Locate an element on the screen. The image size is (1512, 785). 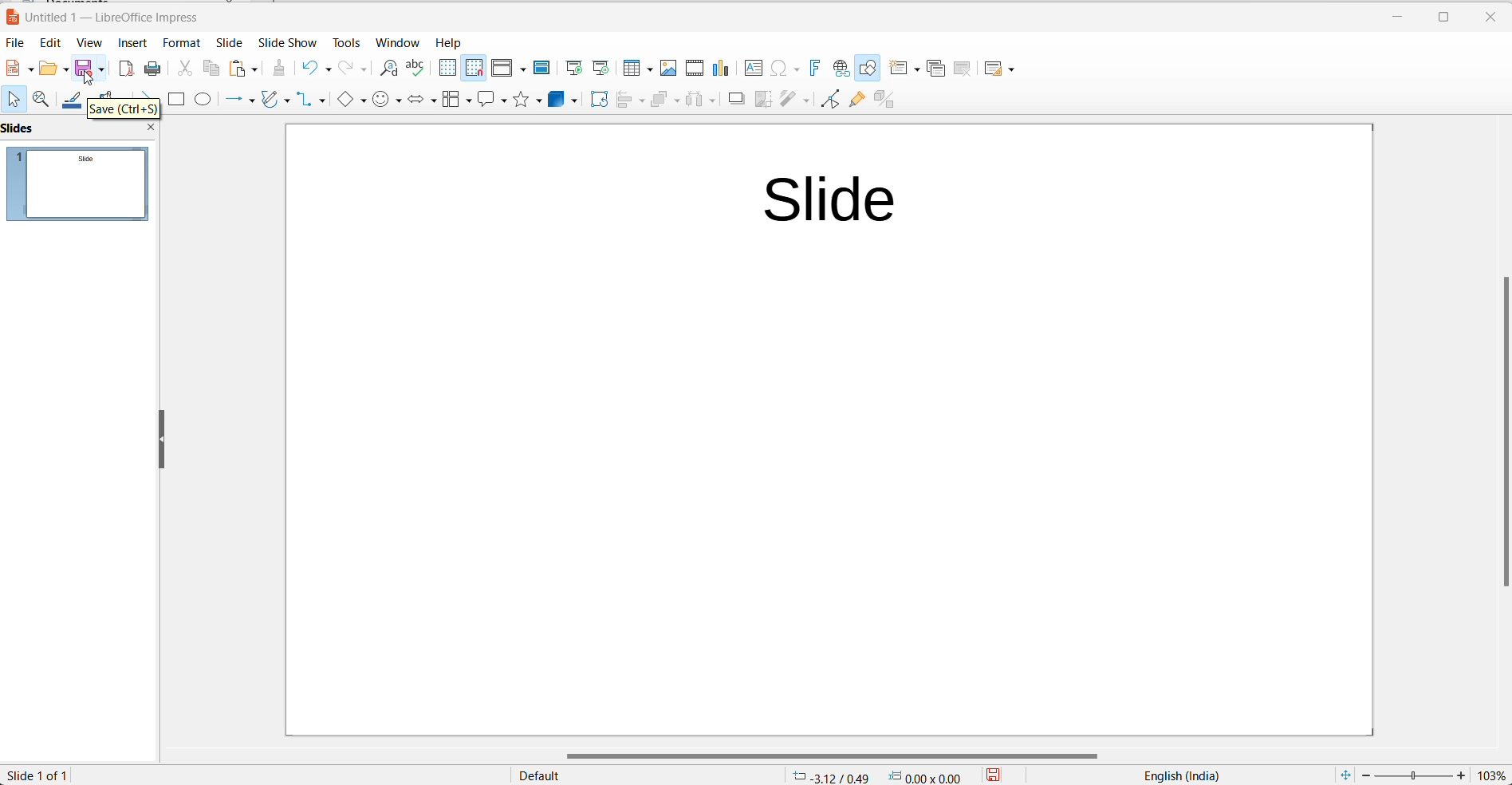
Snap to grid is located at coordinates (471, 68).